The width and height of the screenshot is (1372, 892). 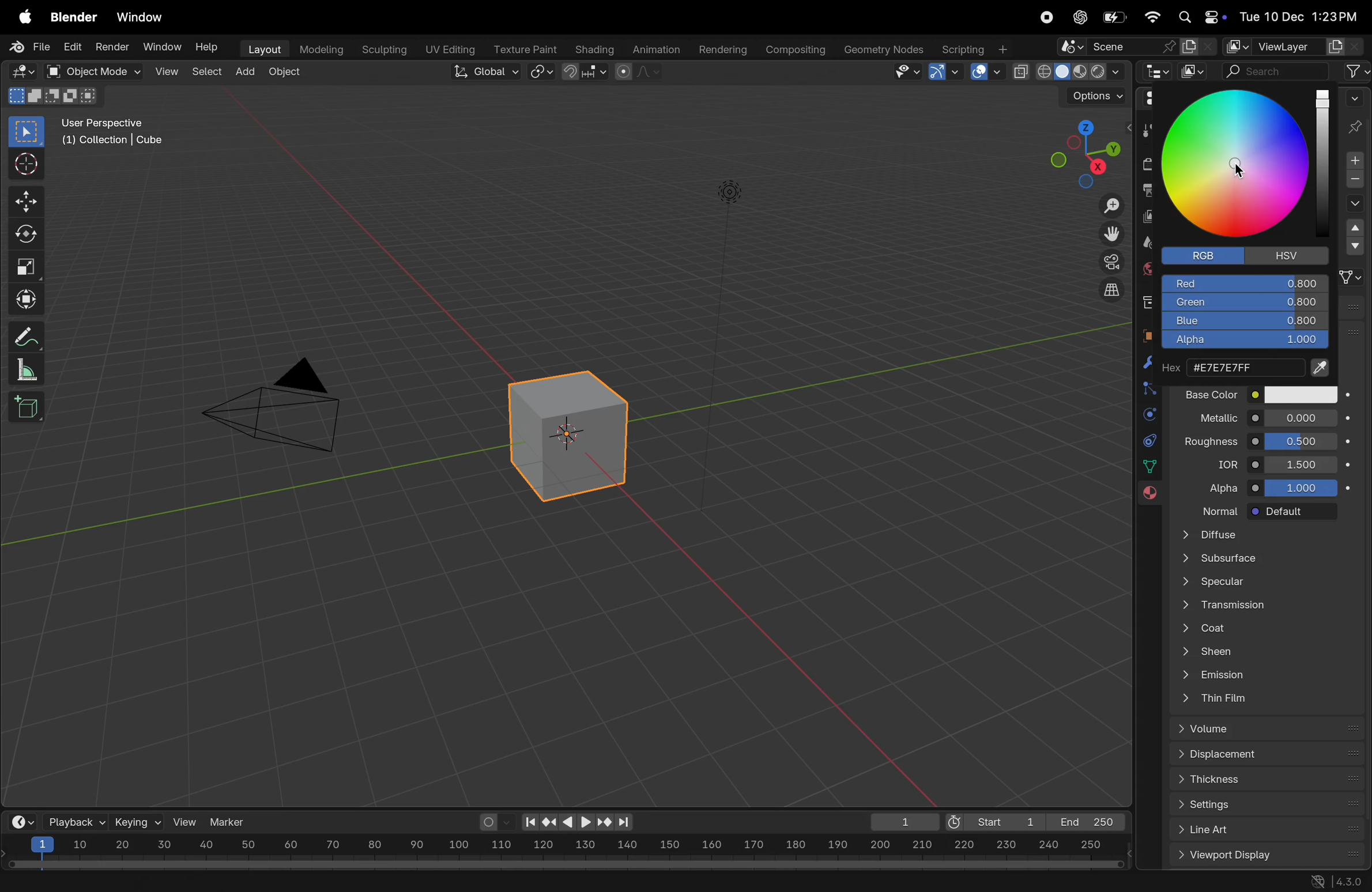 I want to click on apple menu, so click(x=20, y=18).